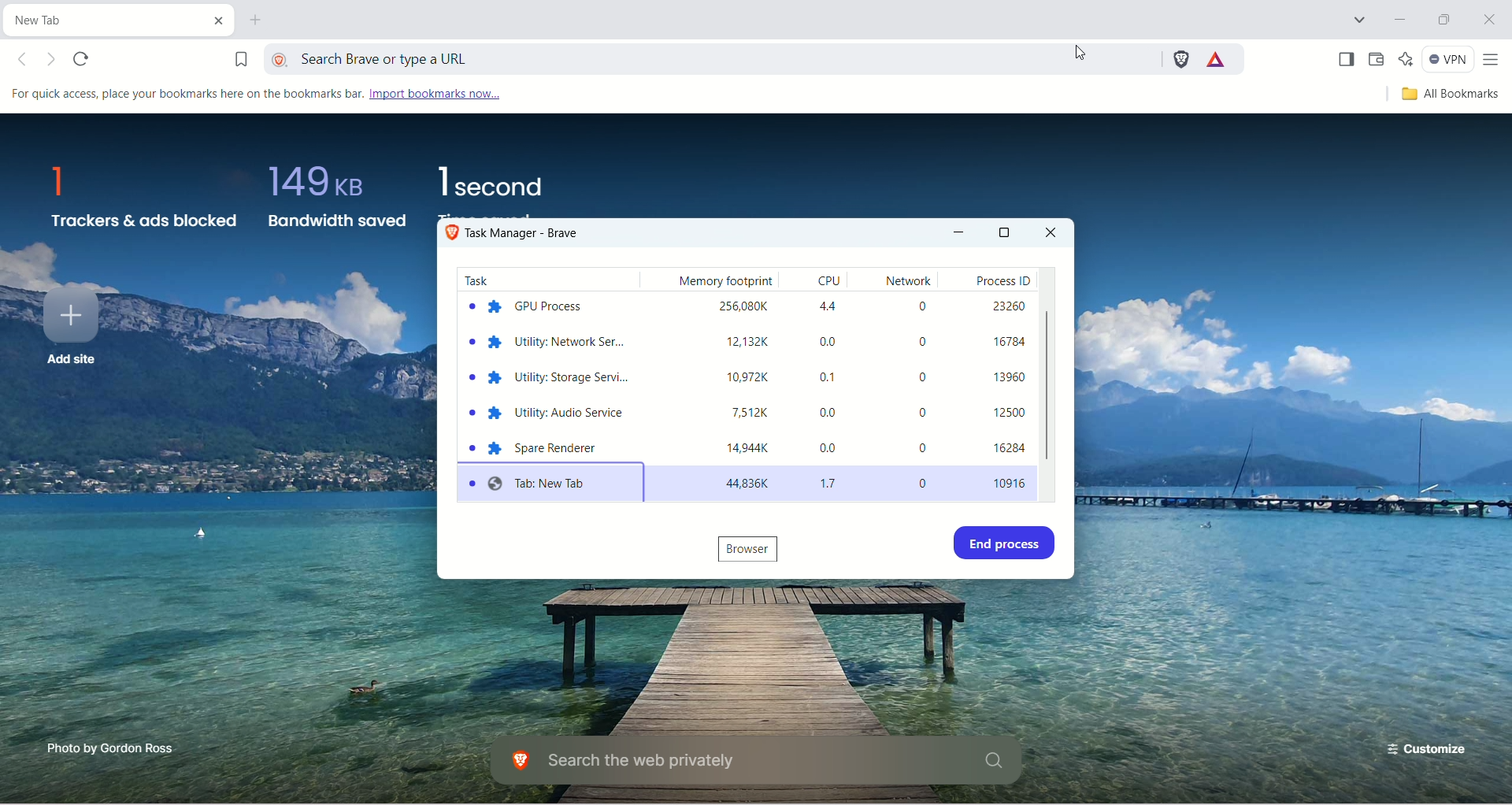 The width and height of the screenshot is (1512, 805). I want to click on bookmark, so click(231, 56).